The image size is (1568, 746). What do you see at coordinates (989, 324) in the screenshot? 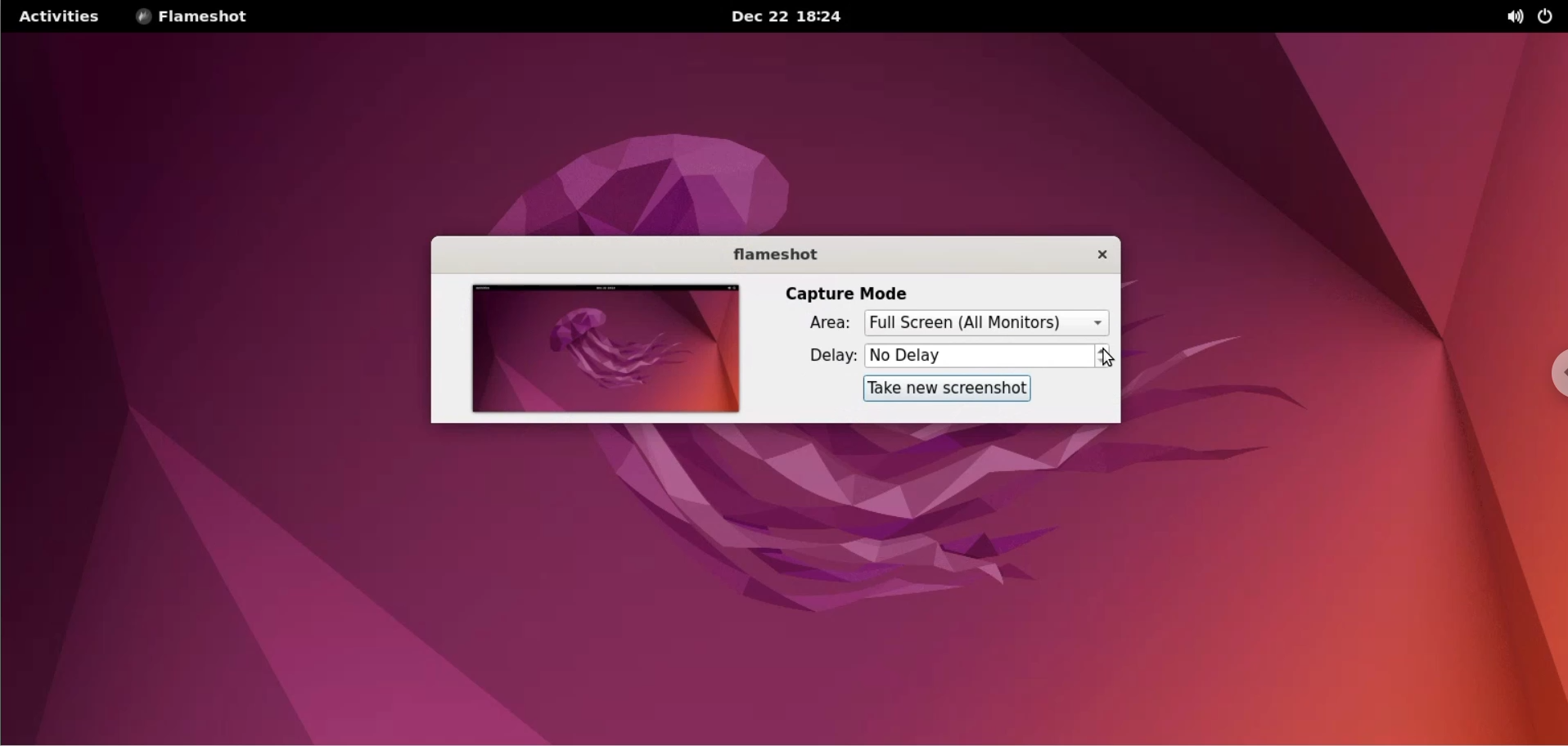
I see `selected capture area full screen` at bounding box center [989, 324].